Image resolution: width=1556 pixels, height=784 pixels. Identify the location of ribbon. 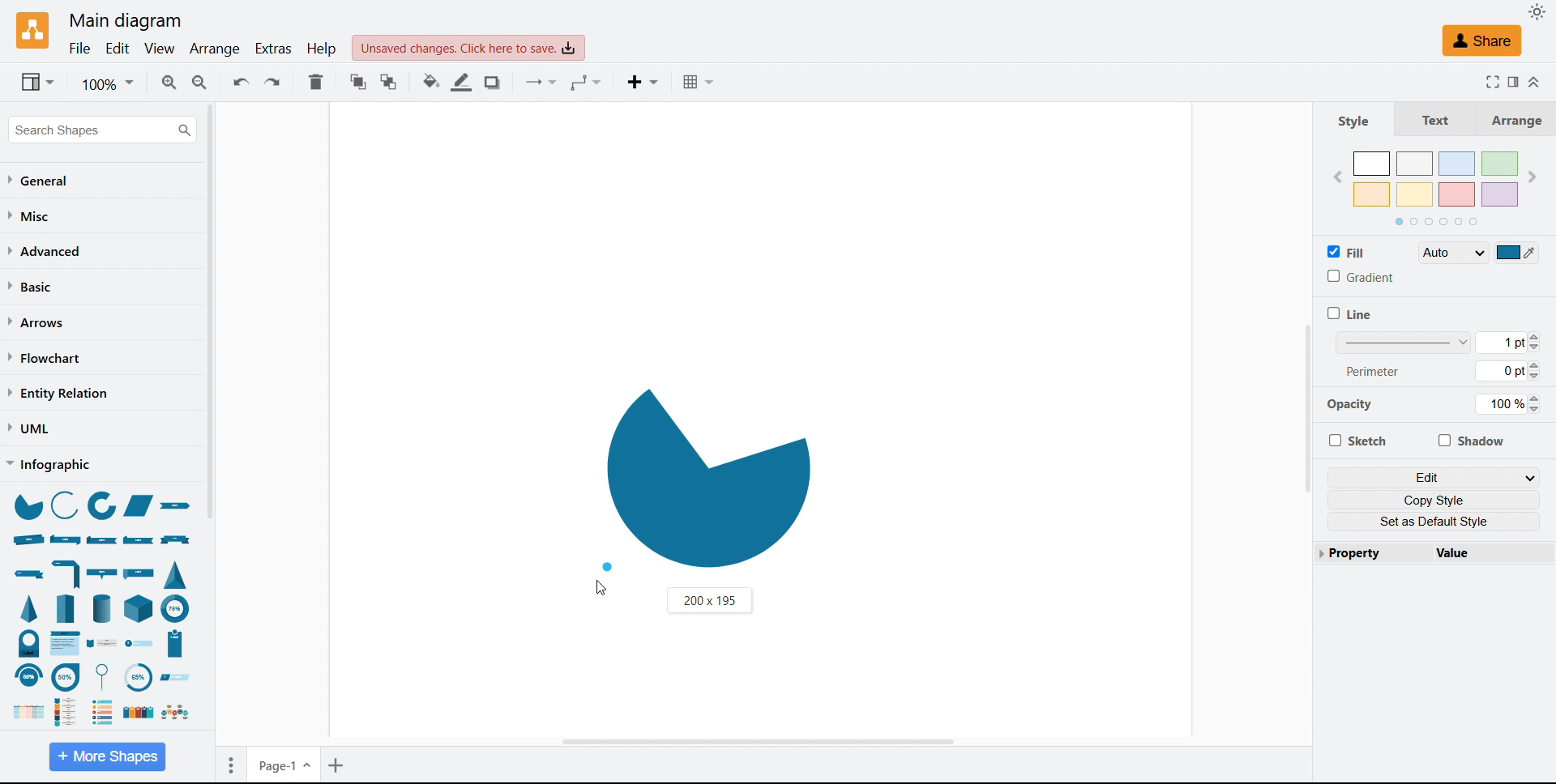
(179, 508).